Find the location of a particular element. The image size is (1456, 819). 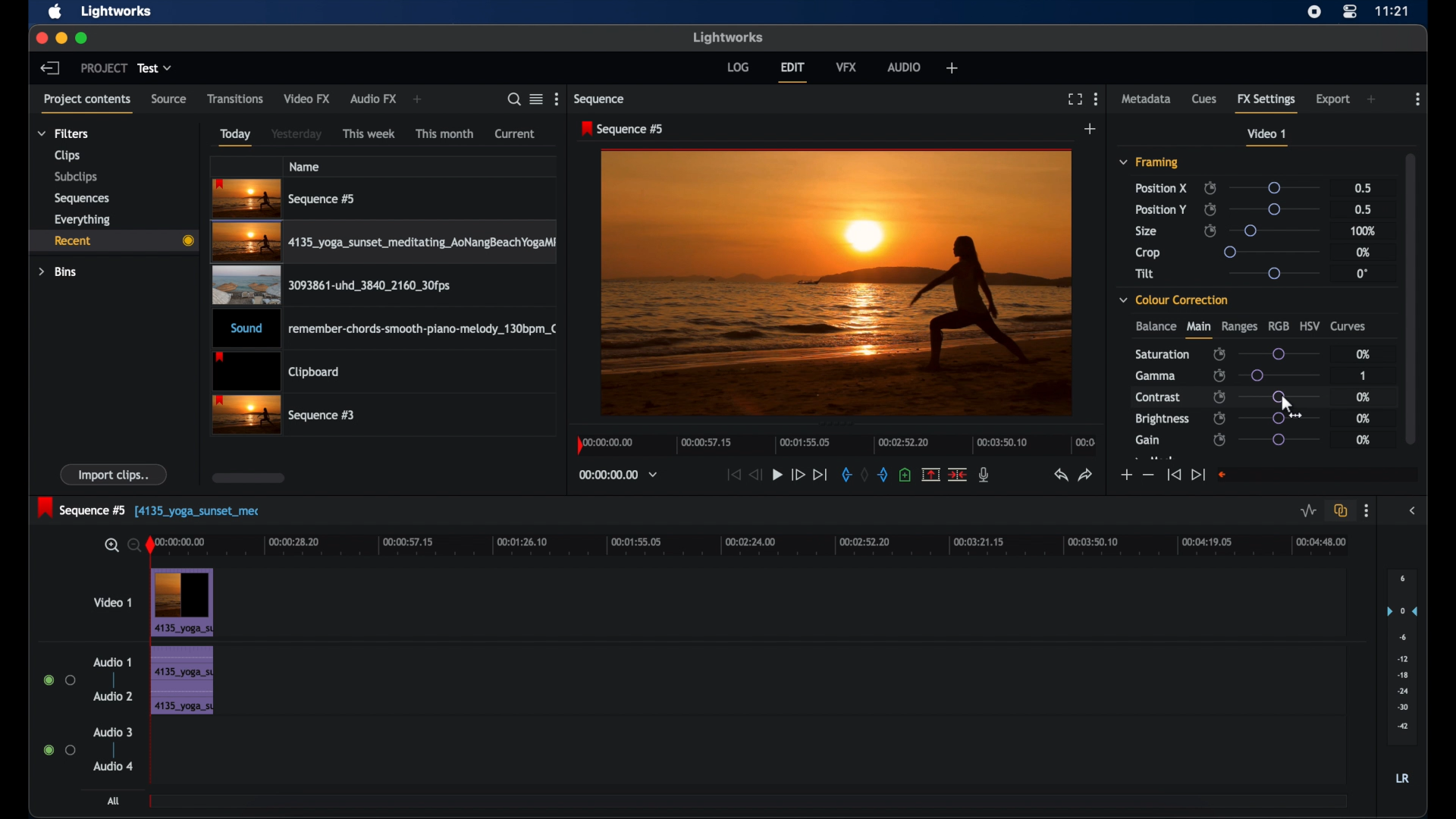

audio 4 is located at coordinates (114, 765).